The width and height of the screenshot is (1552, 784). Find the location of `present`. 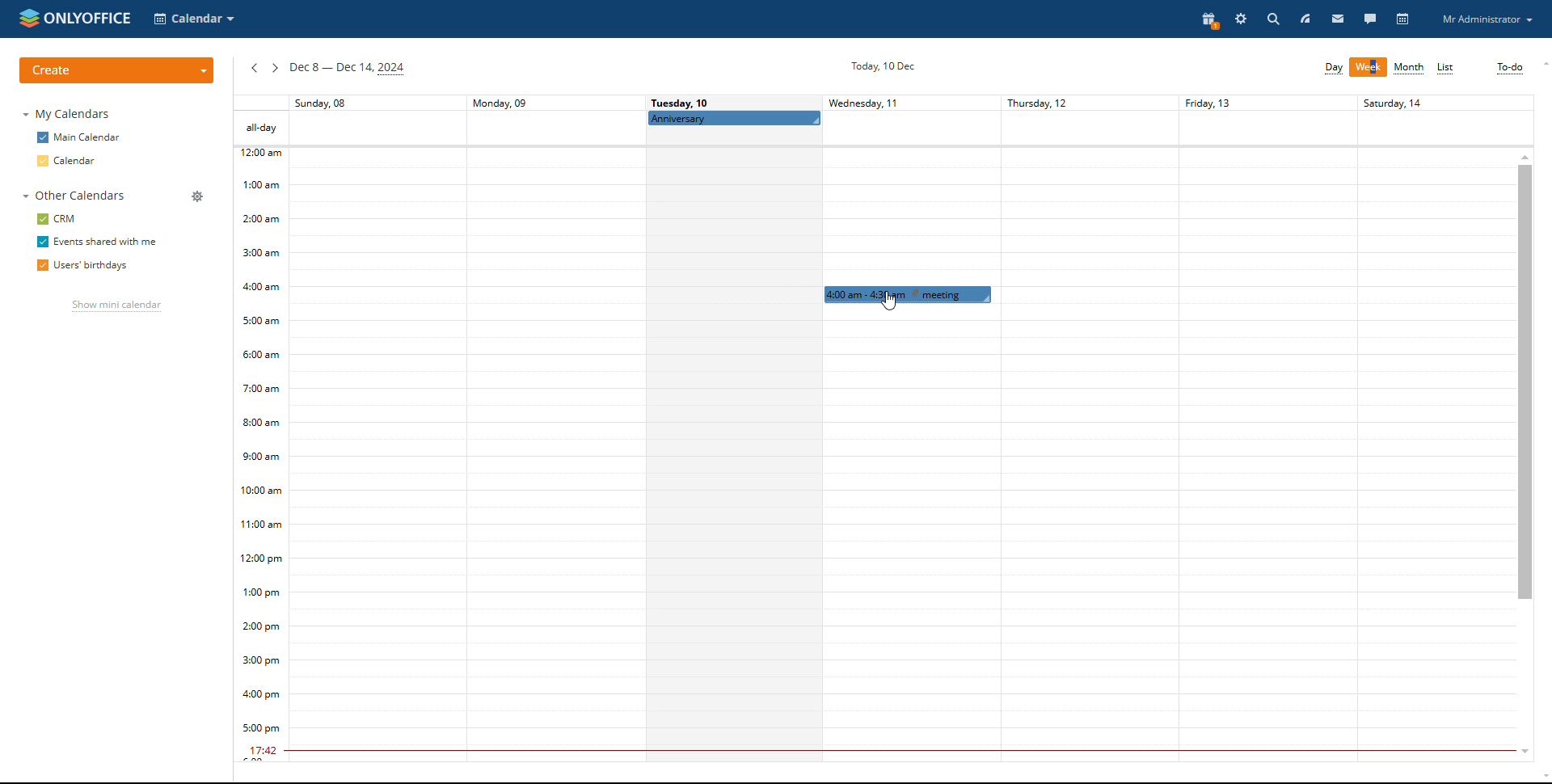

present is located at coordinates (1211, 21).